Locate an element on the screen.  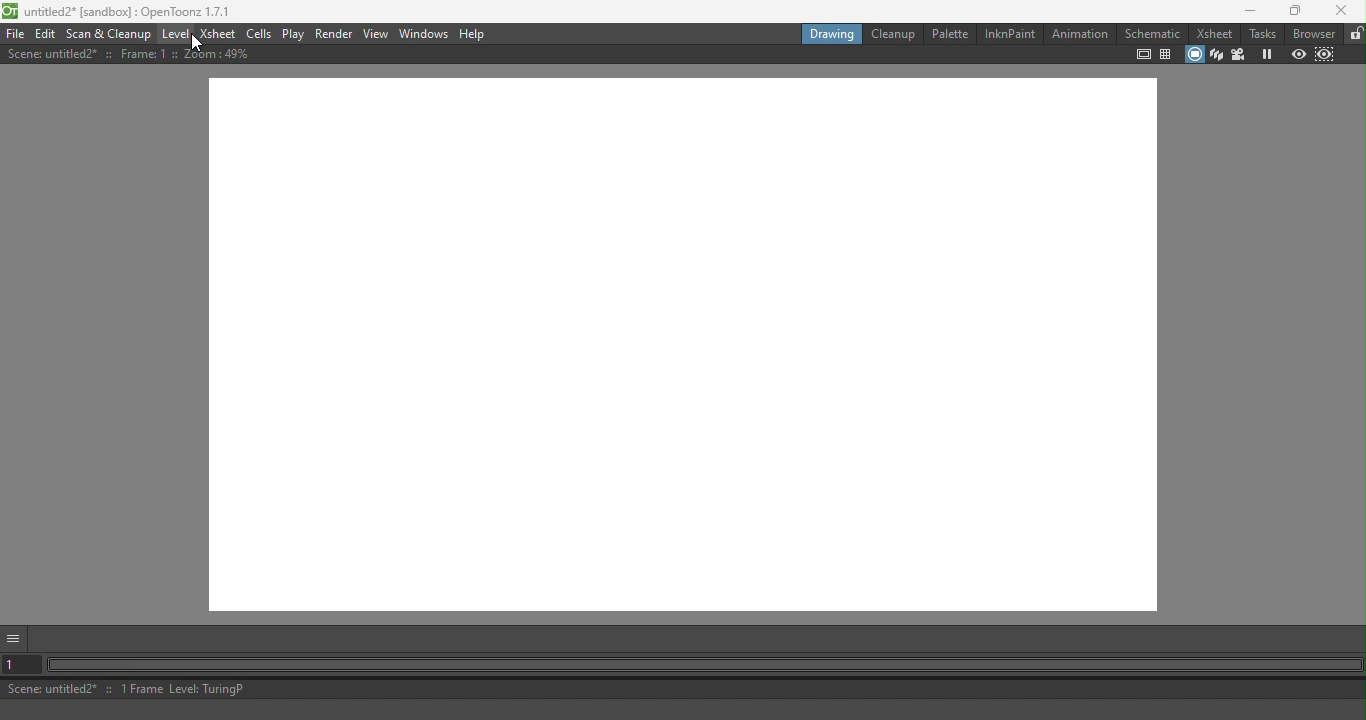
Sub-camera preview is located at coordinates (1326, 55).